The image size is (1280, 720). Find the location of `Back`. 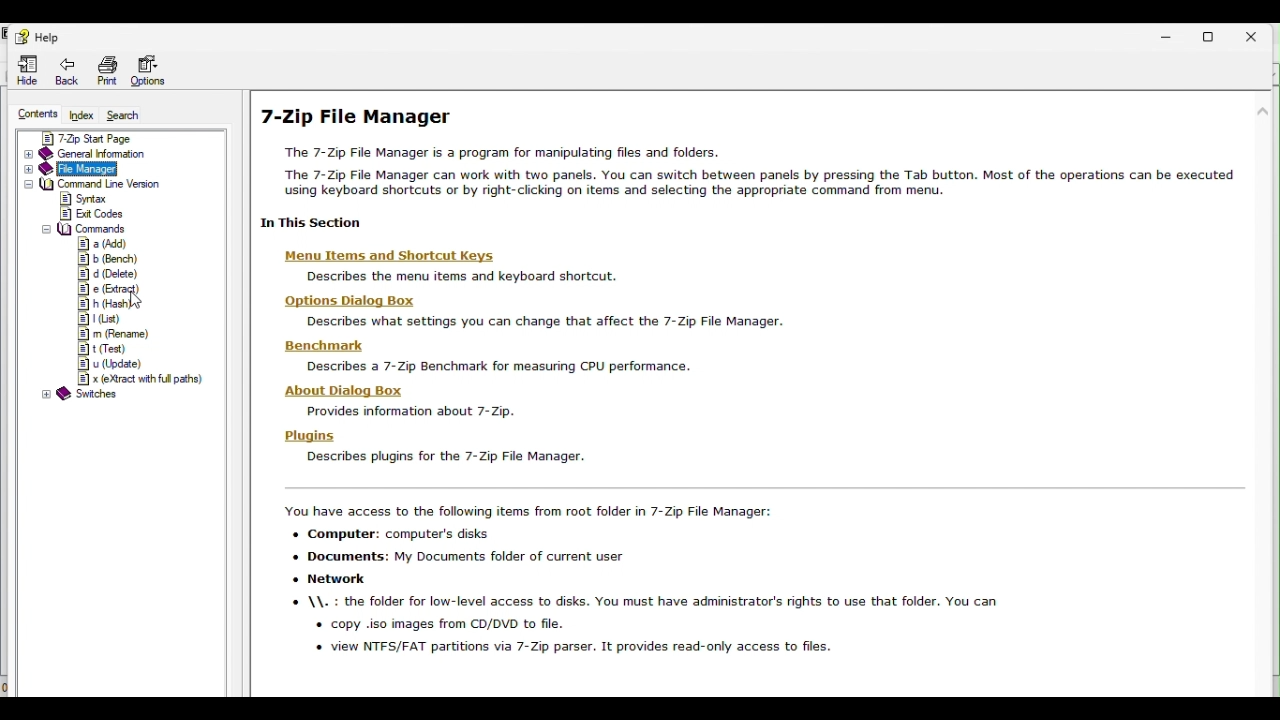

Back is located at coordinates (67, 70).